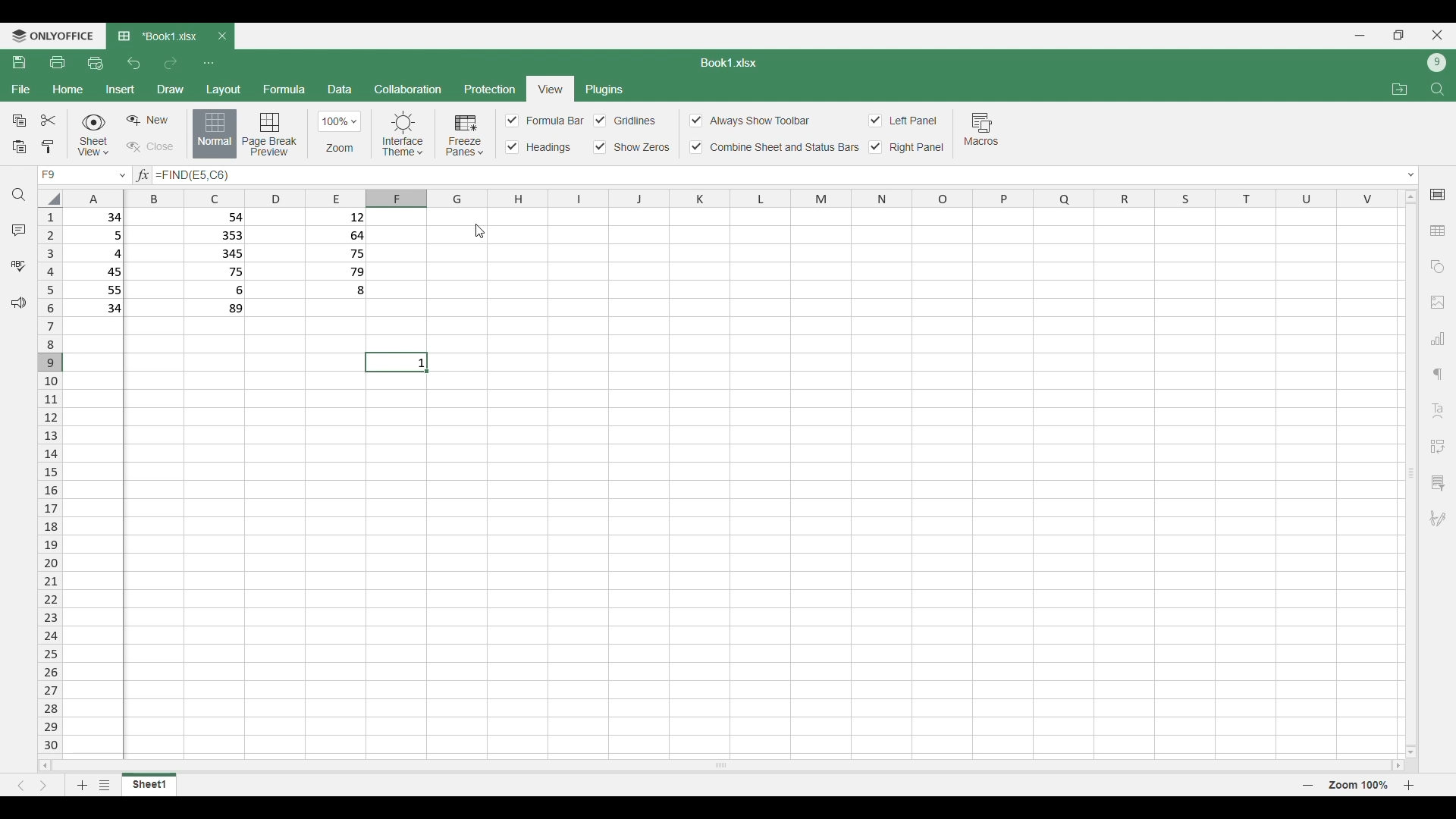 The image size is (1456, 819). Describe the element at coordinates (981, 132) in the screenshot. I see `Macros` at that location.